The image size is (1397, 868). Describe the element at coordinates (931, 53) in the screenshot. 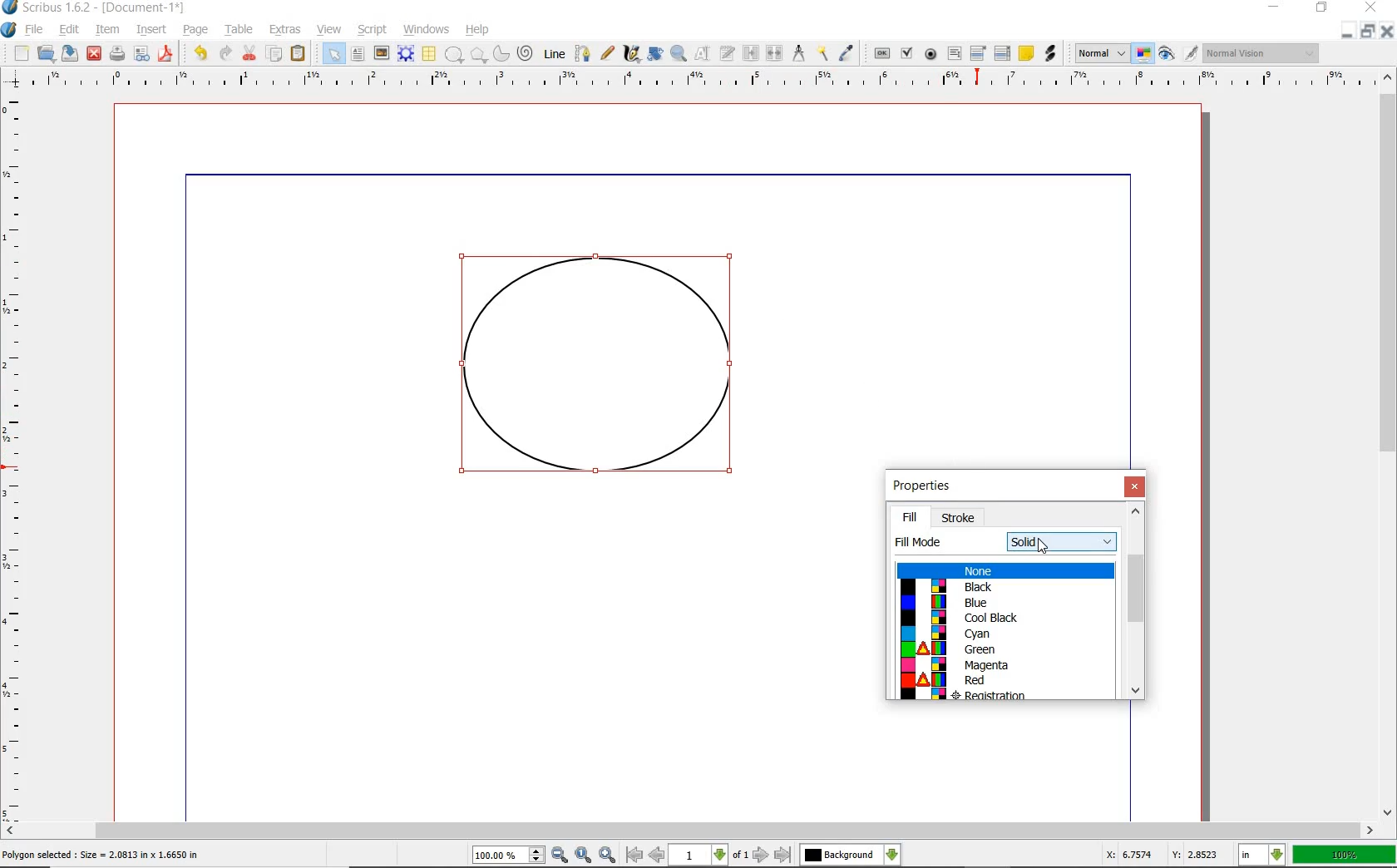

I see `PDF RADIO BUTTON` at that location.